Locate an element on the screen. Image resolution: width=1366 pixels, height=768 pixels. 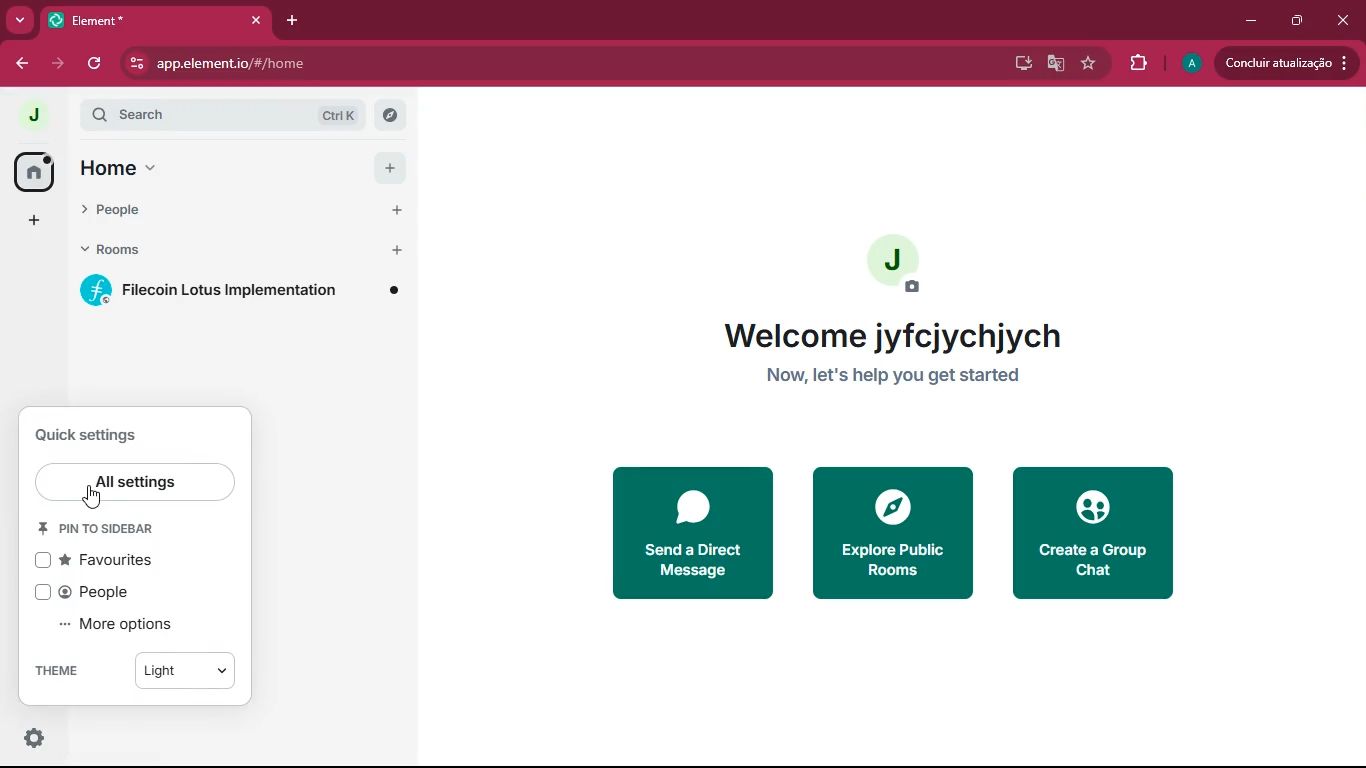
desktop is located at coordinates (1018, 64).